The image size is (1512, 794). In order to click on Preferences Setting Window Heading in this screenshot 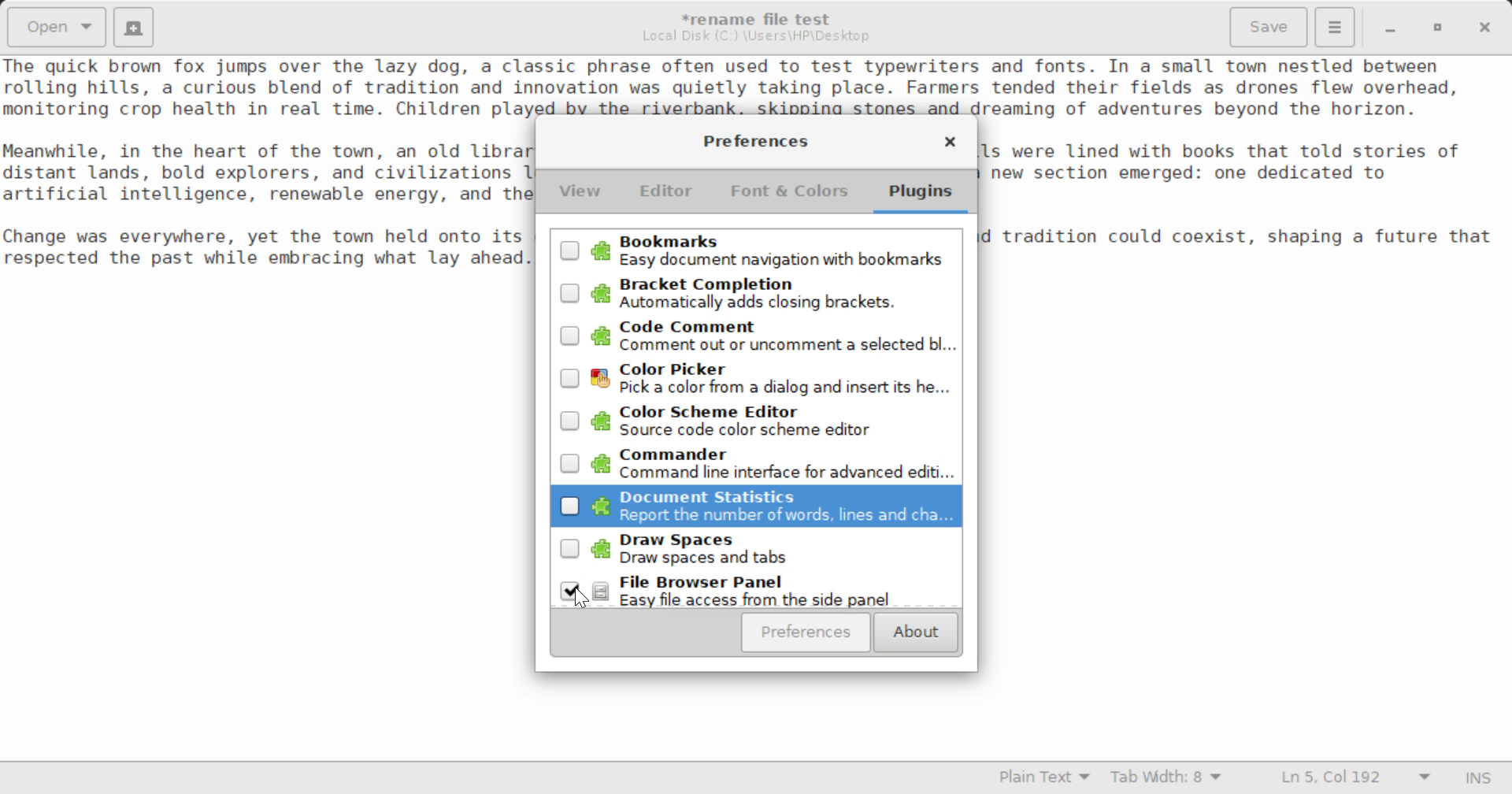, I will do `click(755, 141)`.